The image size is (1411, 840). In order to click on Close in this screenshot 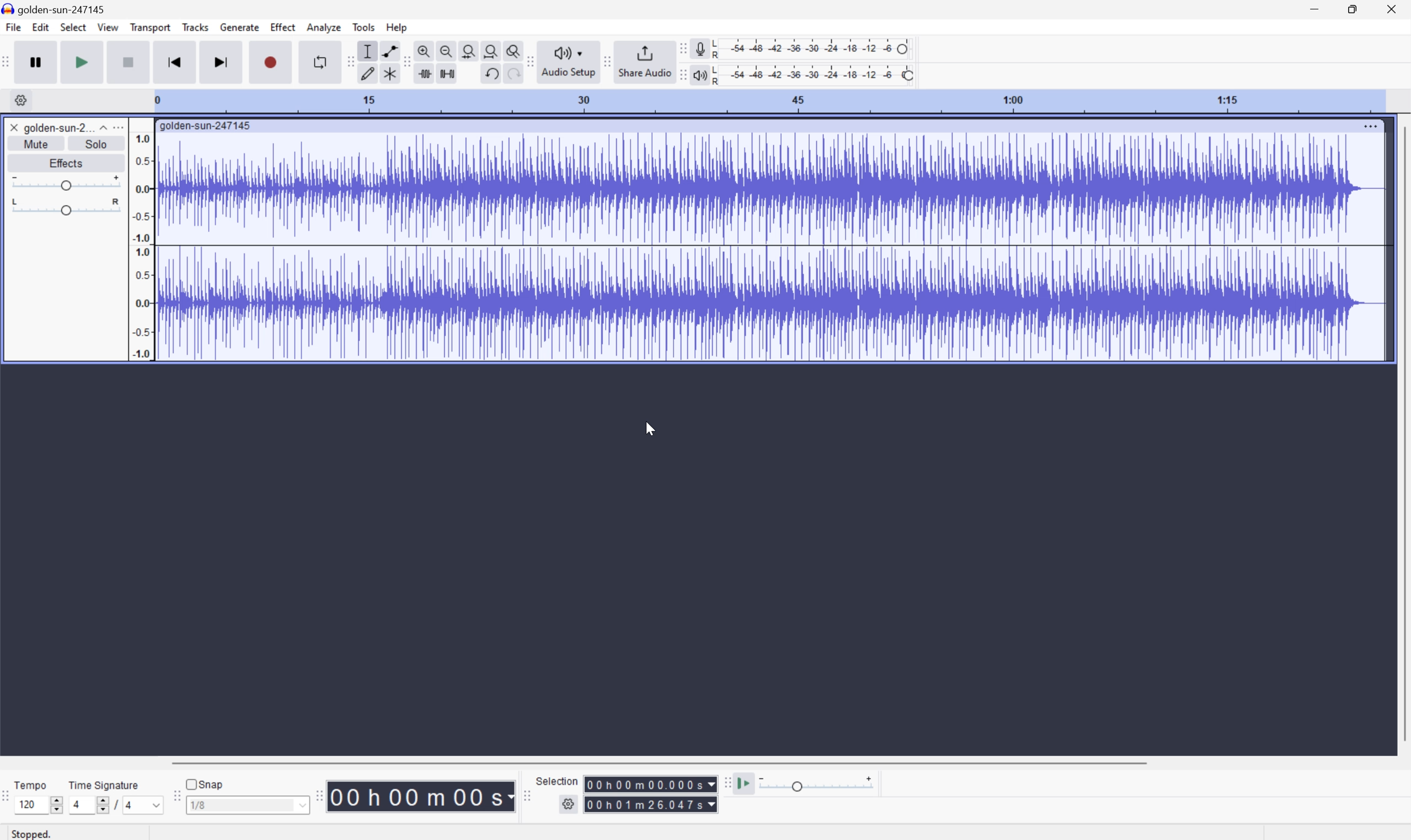, I will do `click(1392, 8)`.